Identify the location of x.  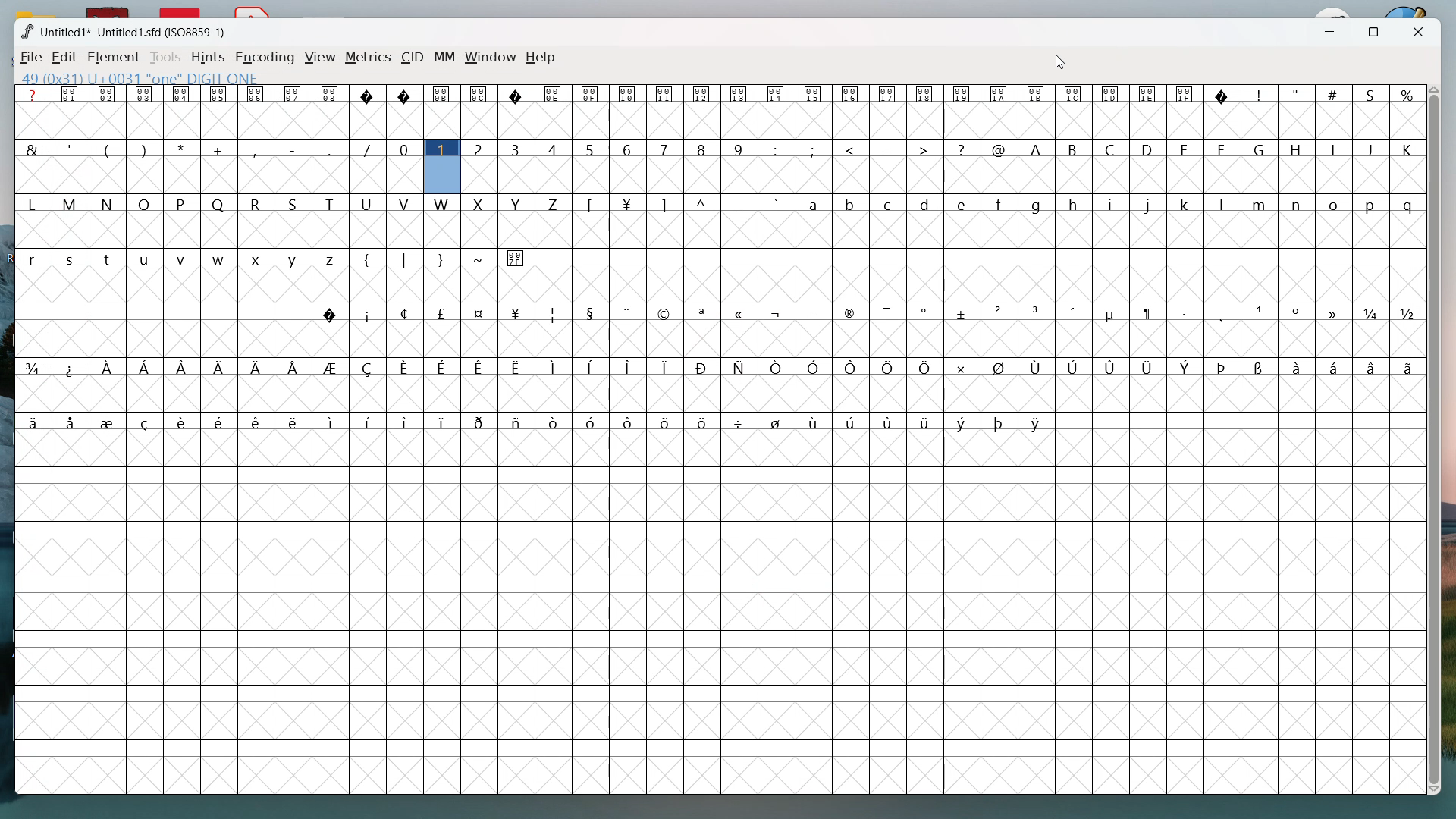
(258, 258).